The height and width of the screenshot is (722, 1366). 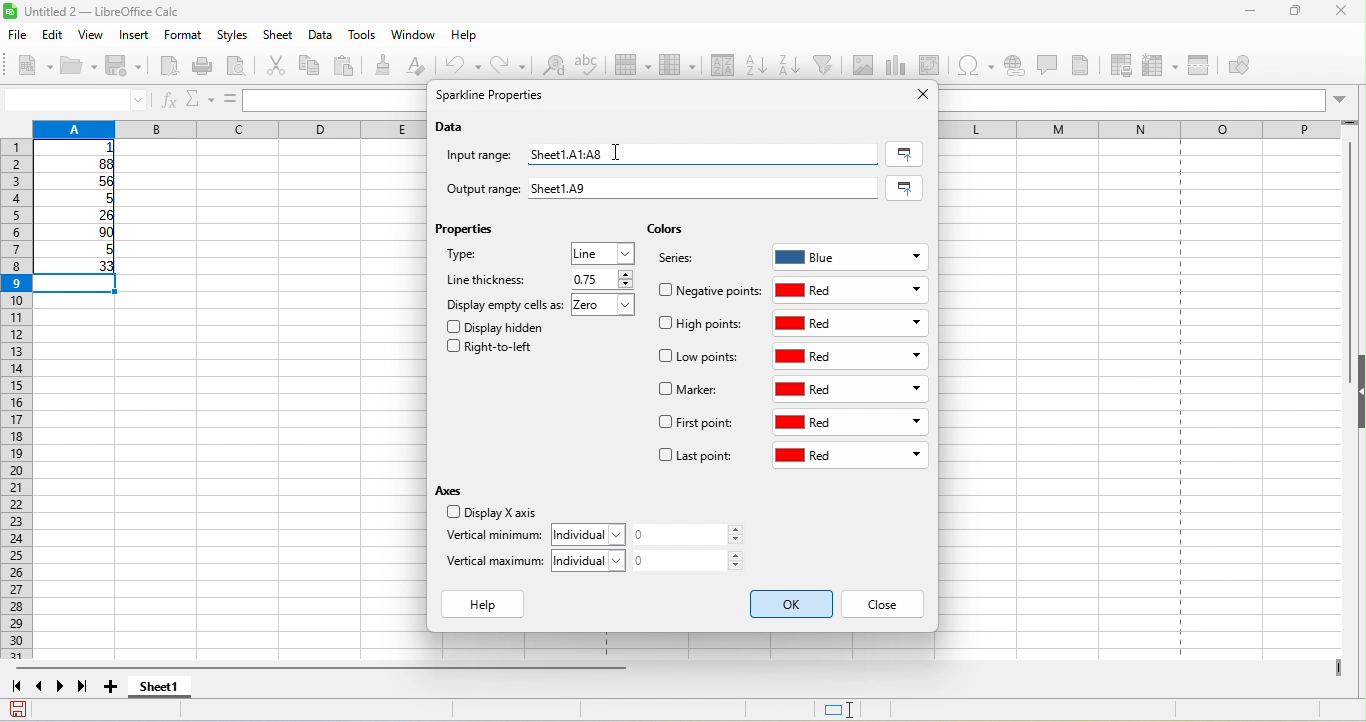 What do you see at coordinates (234, 36) in the screenshot?
I see `styles` at bounding box center [234, 36].